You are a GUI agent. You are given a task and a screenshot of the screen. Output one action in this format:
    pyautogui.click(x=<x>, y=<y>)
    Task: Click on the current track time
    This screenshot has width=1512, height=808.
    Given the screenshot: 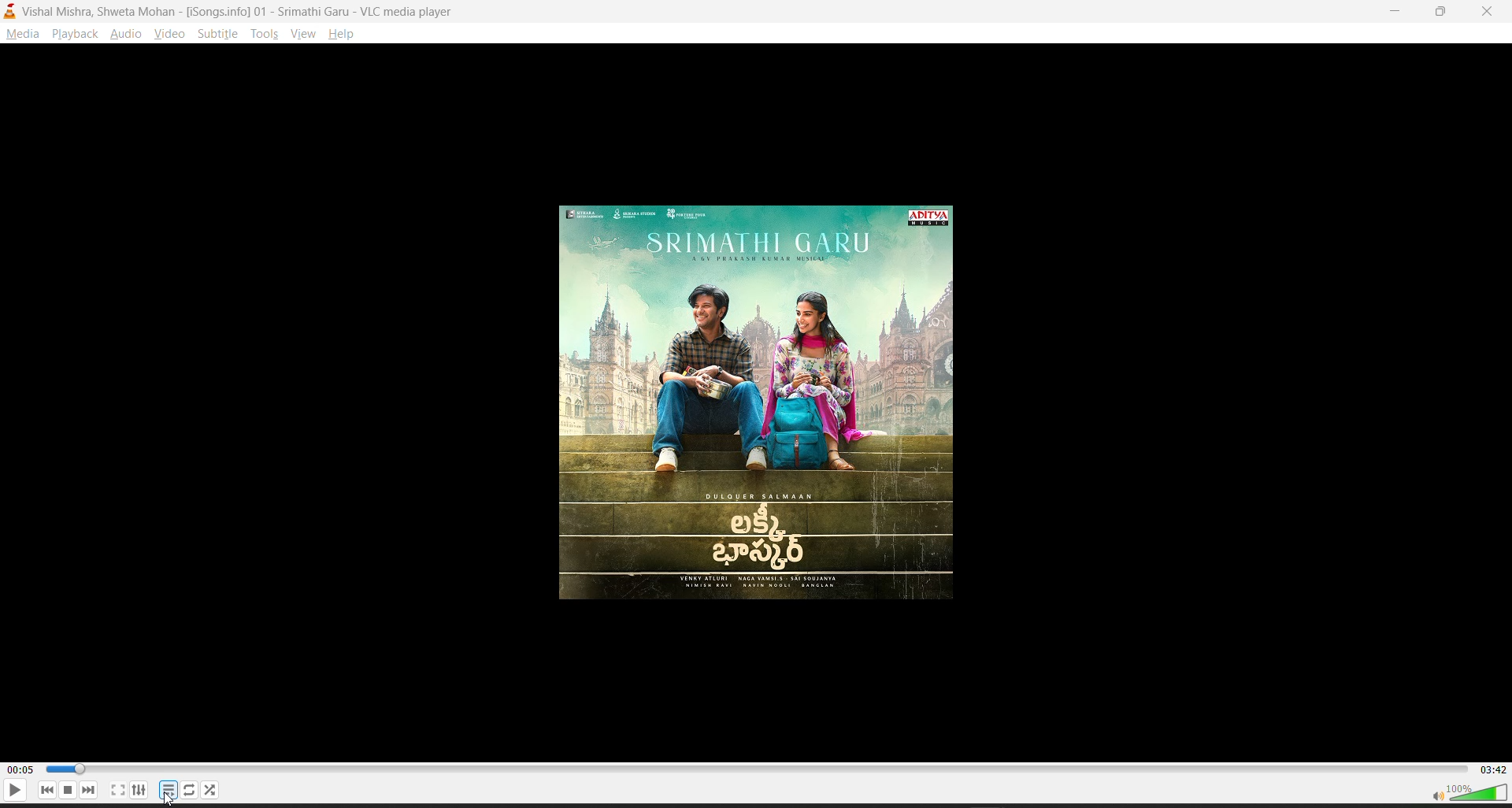 What is the action you would take?
    pyautogui.click(x=20, y=769)
    